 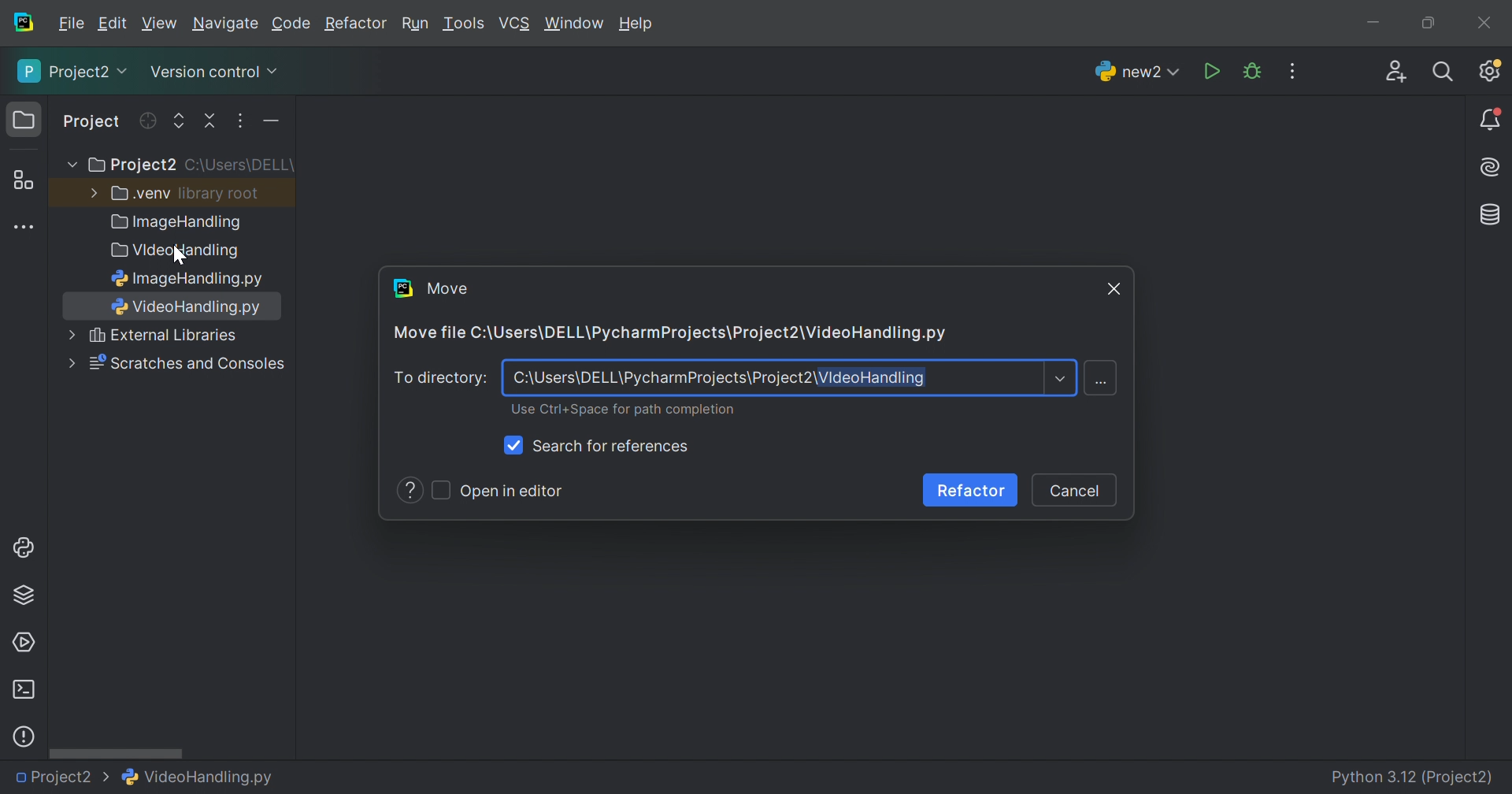 What do you see at coordinates (177, 224) in the screenshot?
I see `Image Handling` at bounding box center [177, 224].